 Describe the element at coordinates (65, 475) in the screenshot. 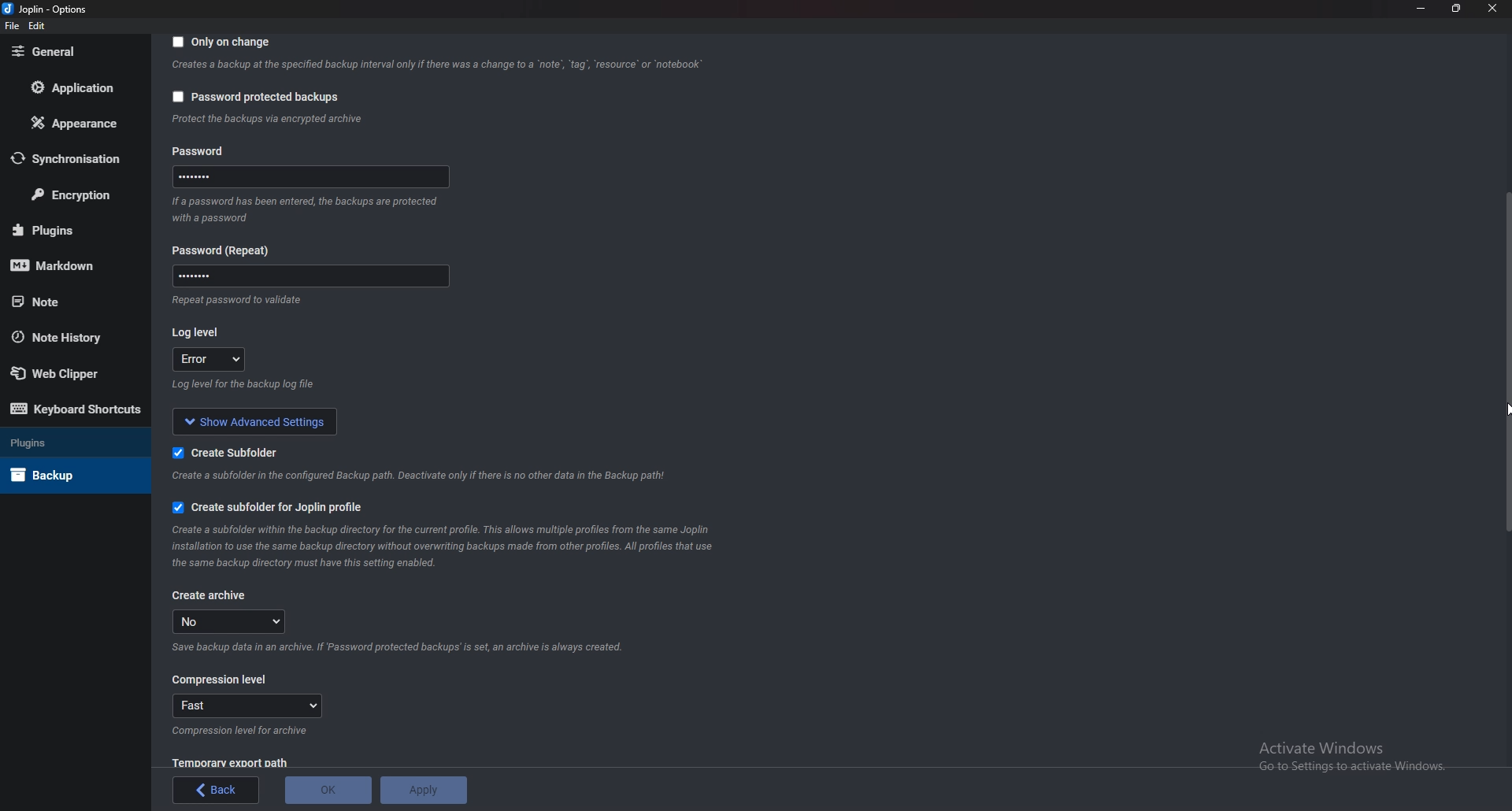

I see `Back up` at that location.